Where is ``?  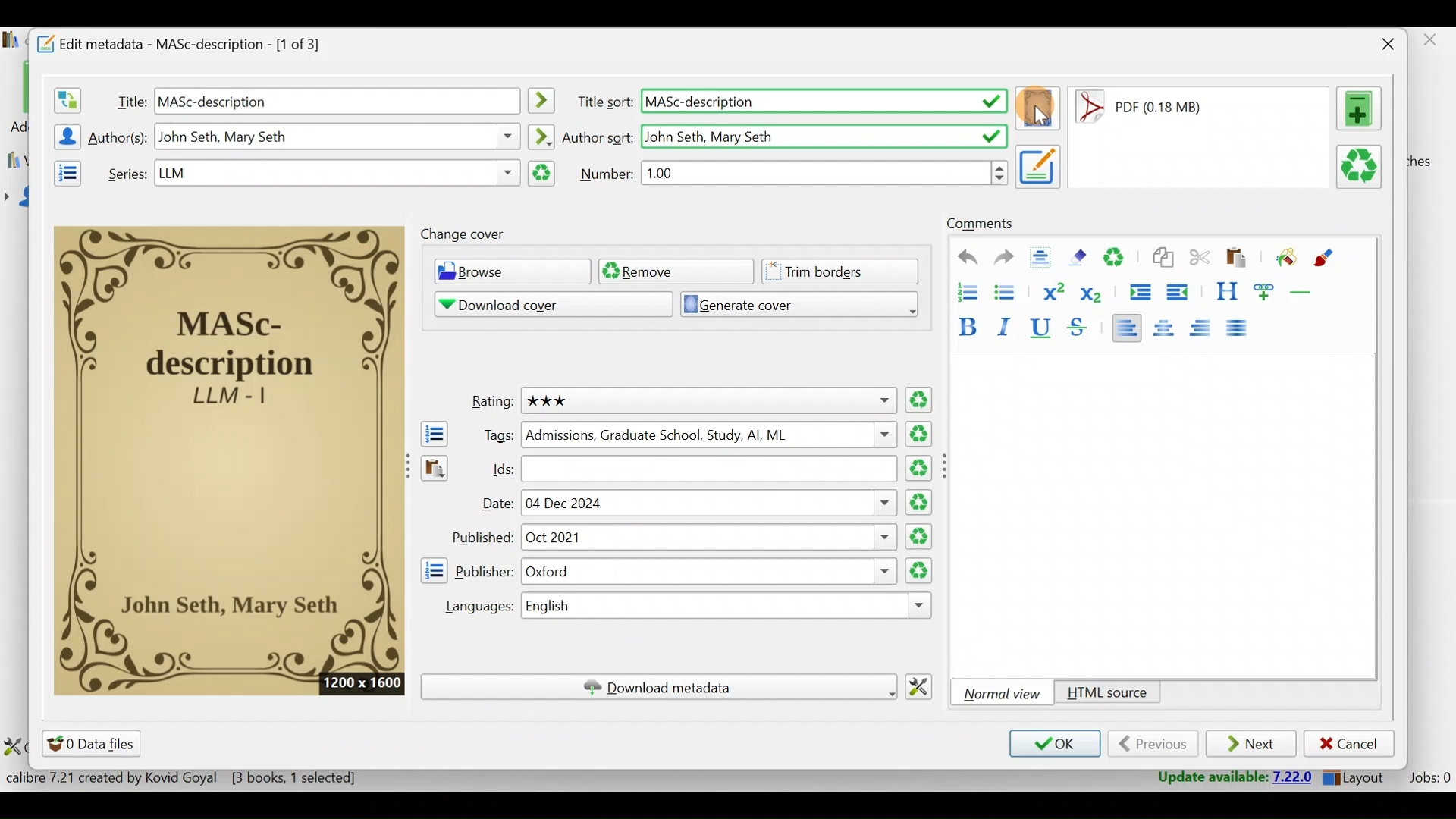  is located at coordinates (336, 173).